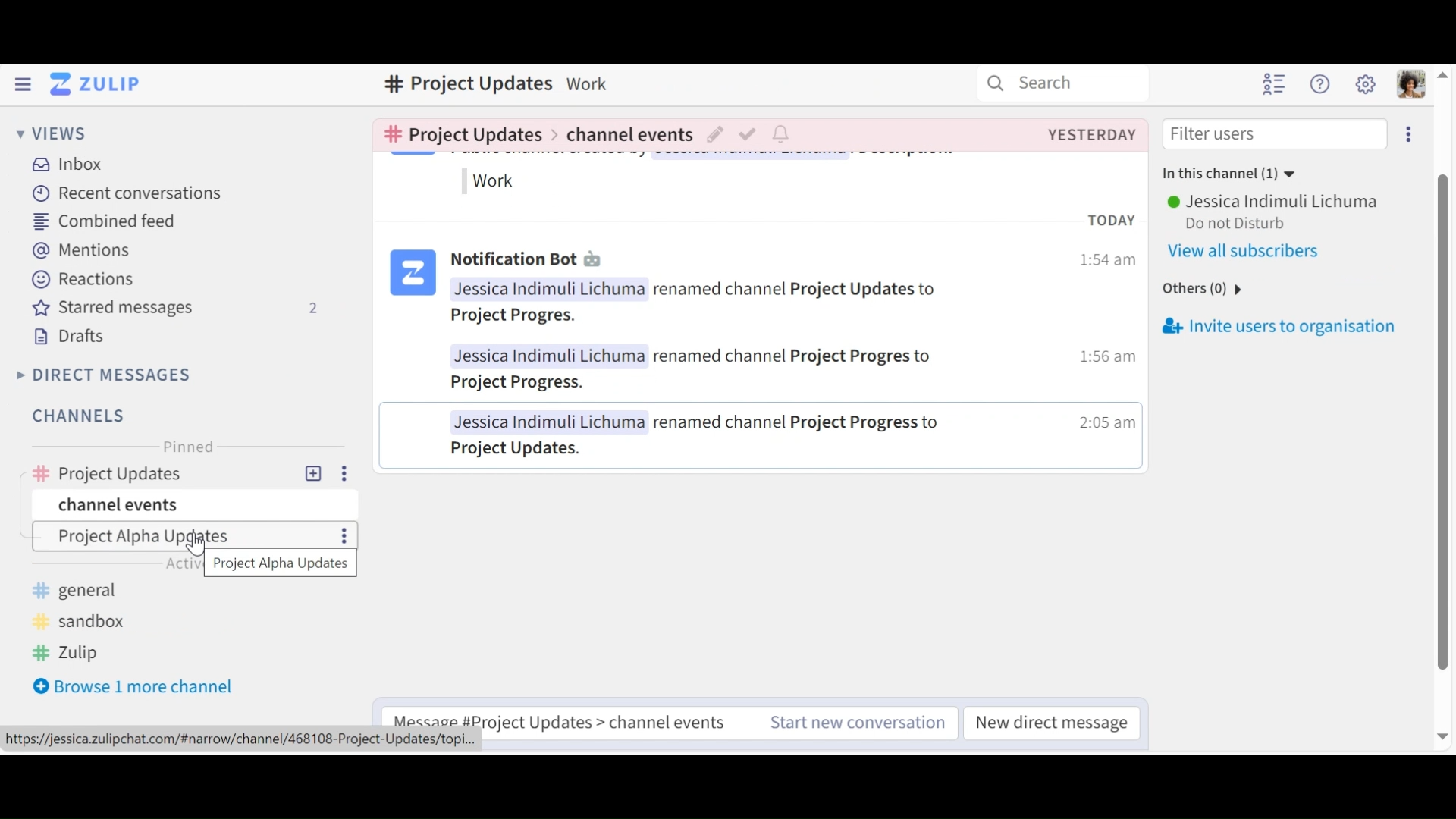 The image size is (1456, 819). What do you see at coordinates (717, 136) in the screenshot?
I see `Edit topic` at bounding box center [717, 136].